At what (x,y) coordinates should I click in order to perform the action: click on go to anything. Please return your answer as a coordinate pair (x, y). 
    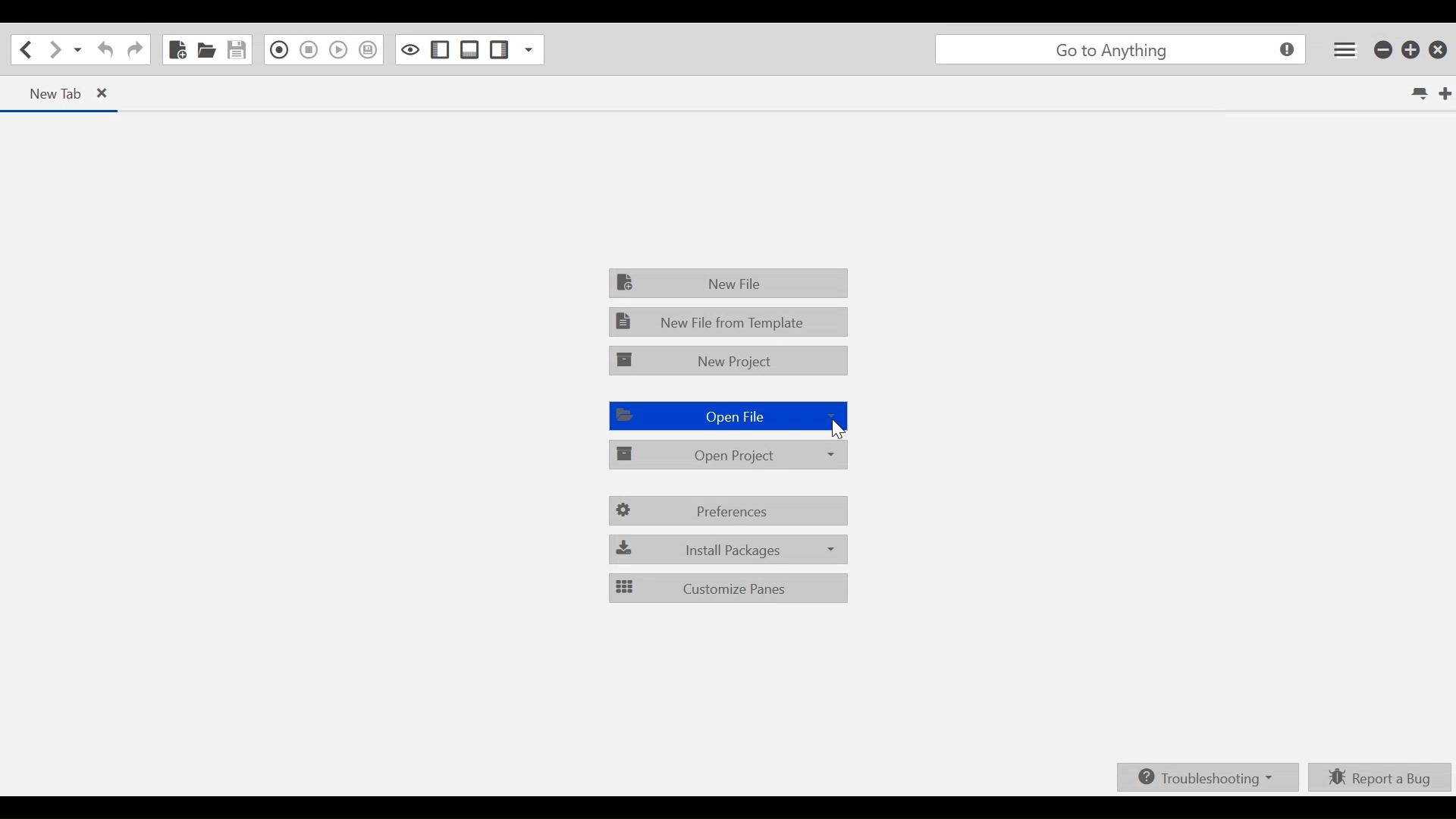
    Looking at the image, I should click on (1118, 50).